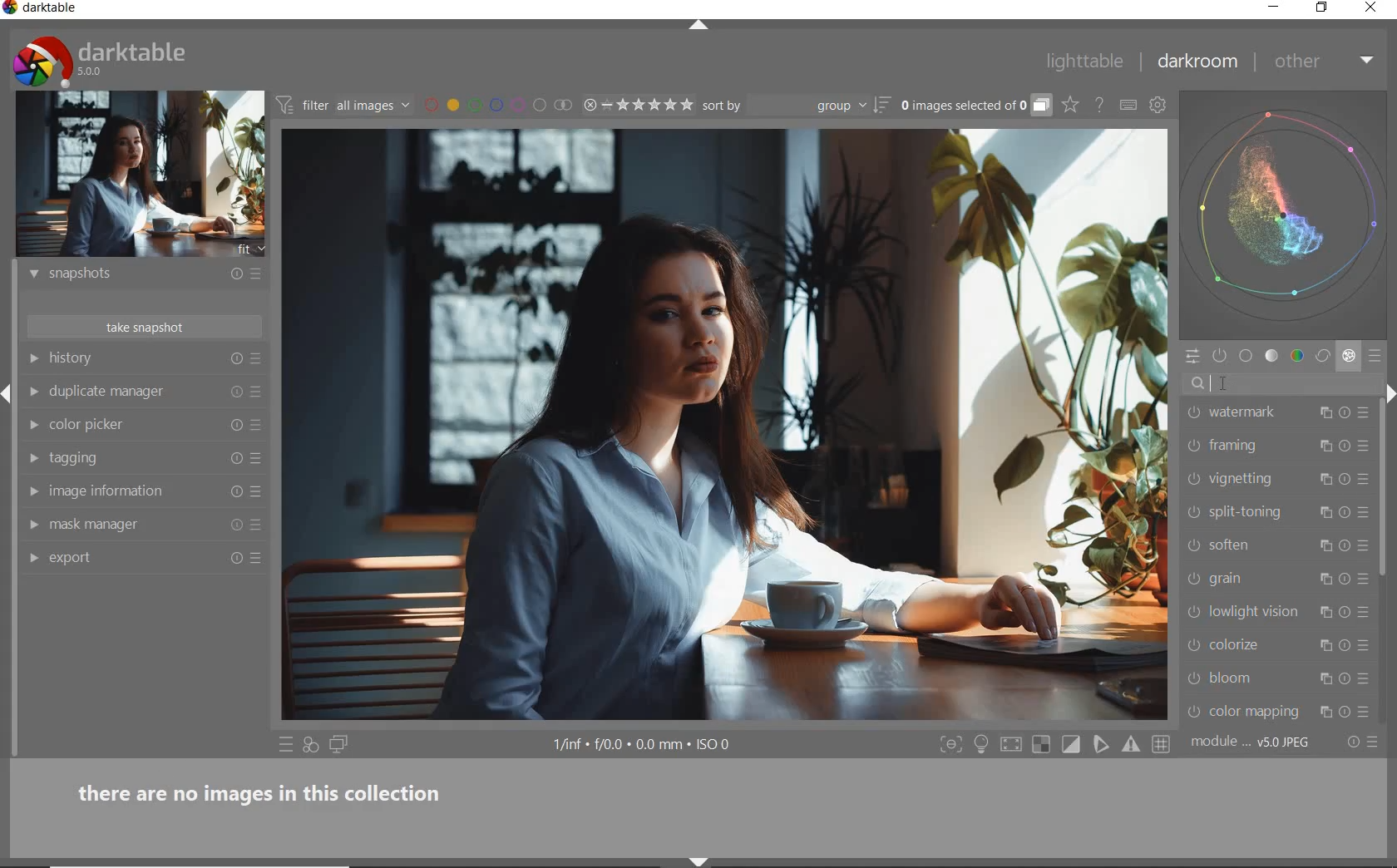 The height and width of the screenshot is (868, 1397). Describe the element at coordinates (259, 459) in the screenshot. I see `preset and preferences` at that location.